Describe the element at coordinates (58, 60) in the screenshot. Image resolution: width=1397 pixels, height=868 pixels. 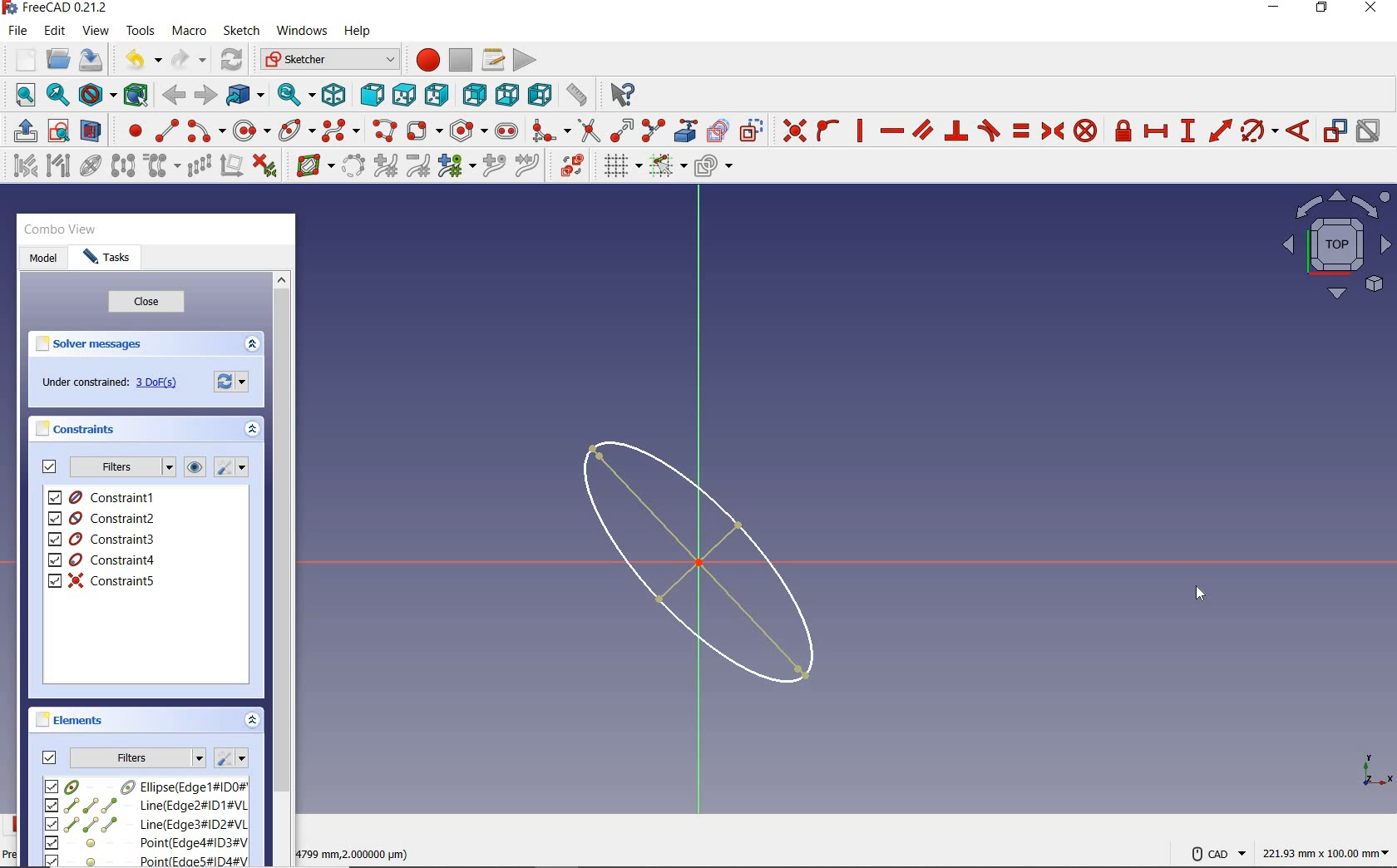
I see `open` at that location.